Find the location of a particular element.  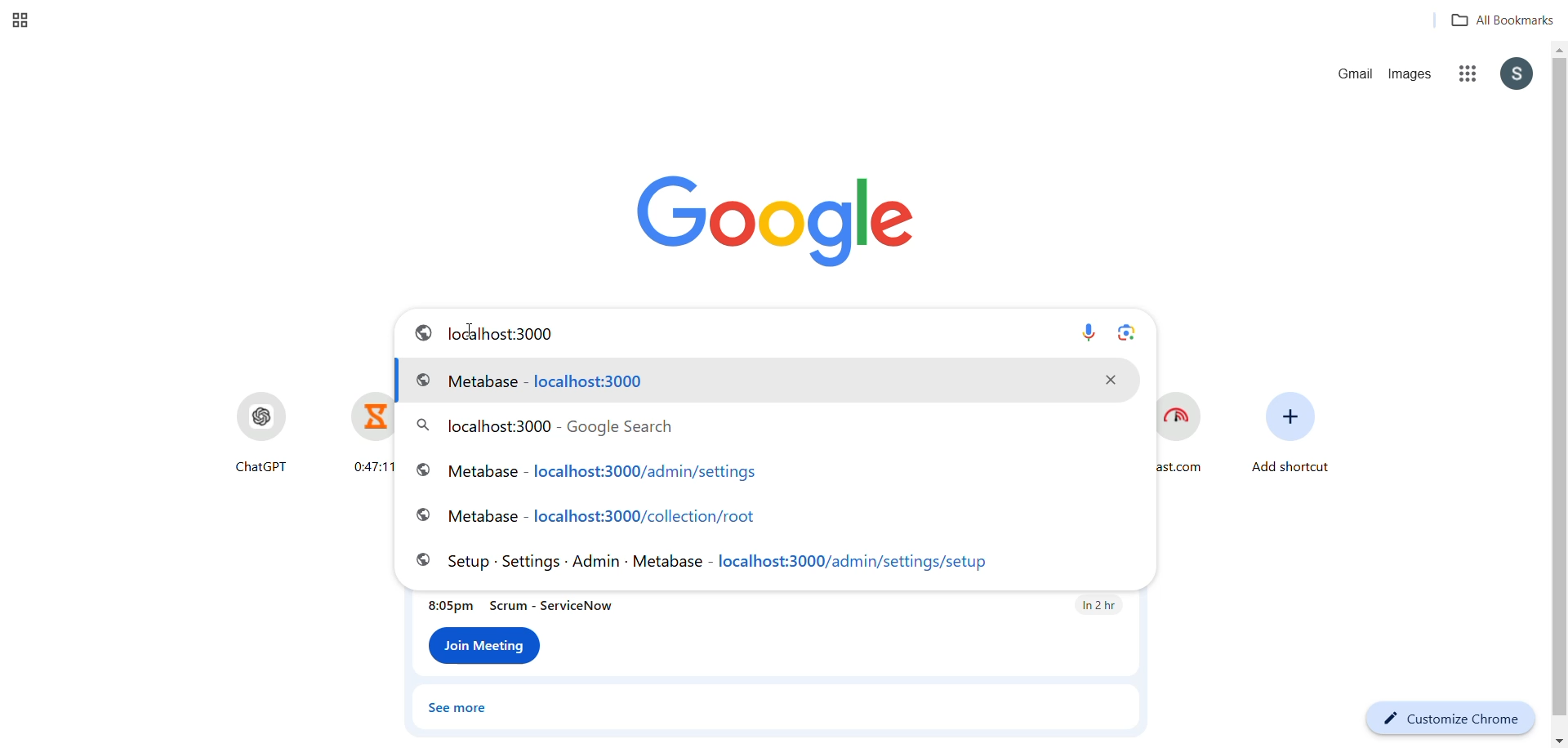

customize chrome is located at coordinates (1446, 718).